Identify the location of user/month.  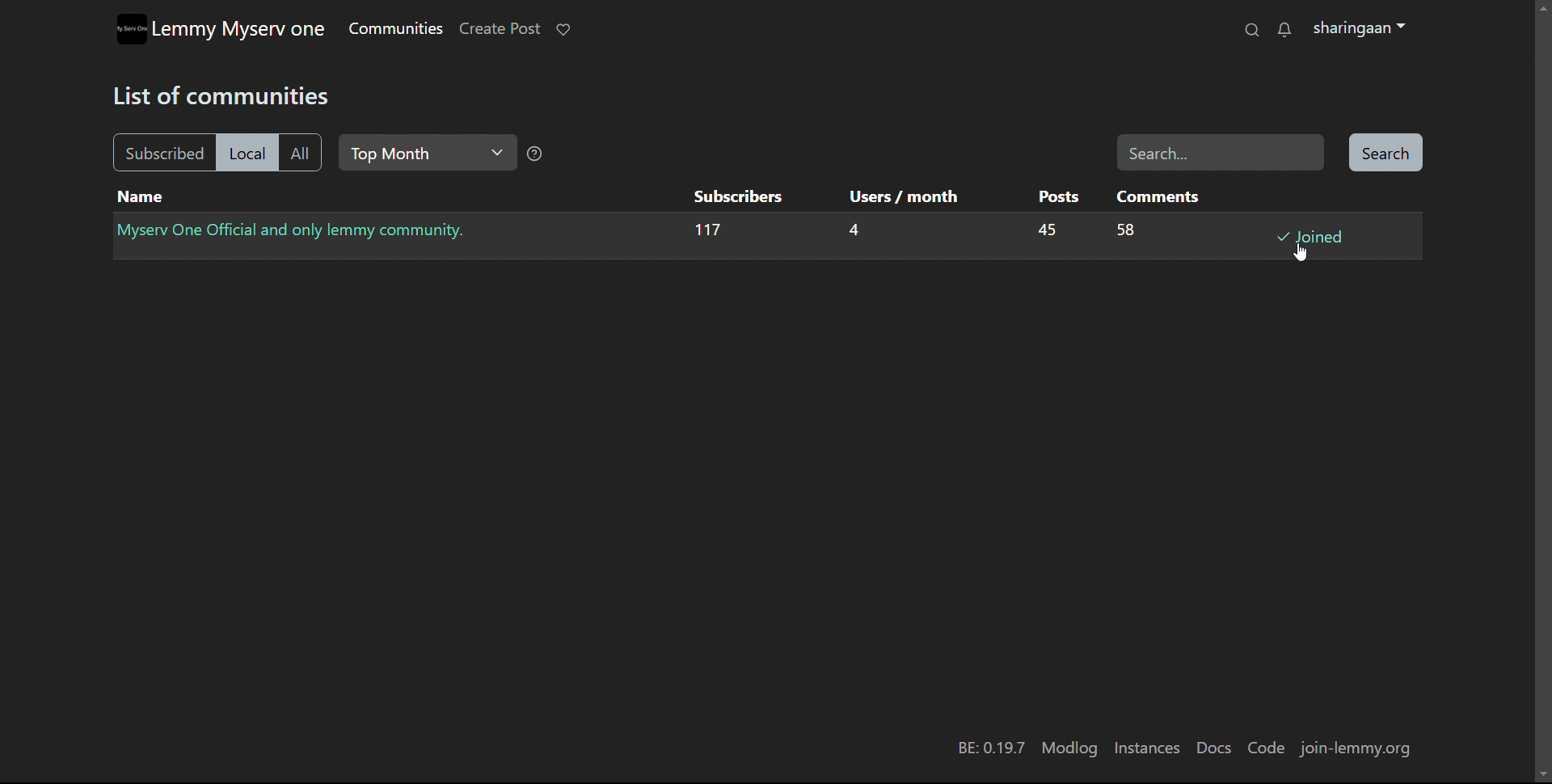
(899, 196).